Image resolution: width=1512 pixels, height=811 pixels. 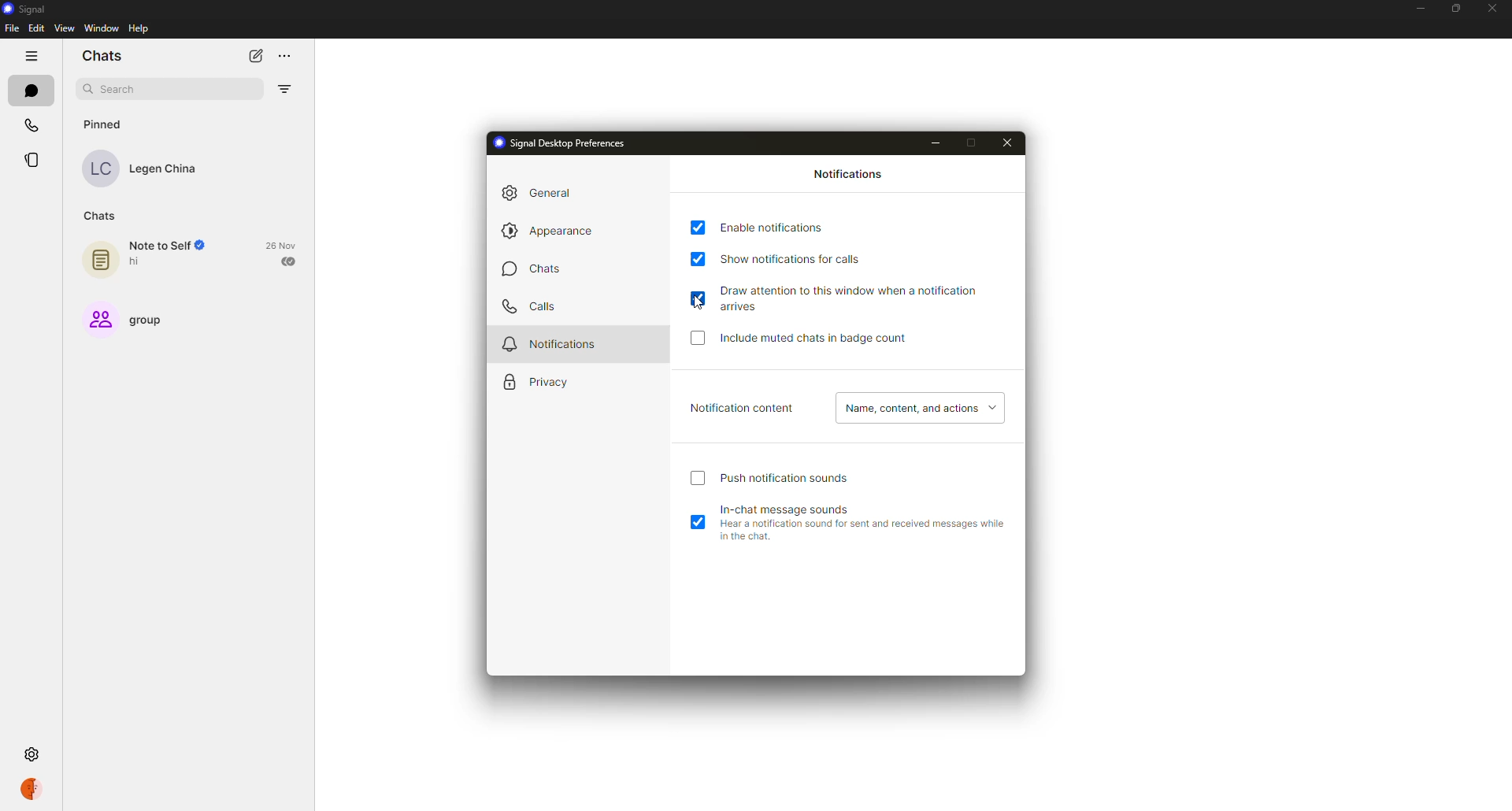 I want to click on Hear a notification sound for sent and received messages while inthe chat, so click(x=860, y=534).